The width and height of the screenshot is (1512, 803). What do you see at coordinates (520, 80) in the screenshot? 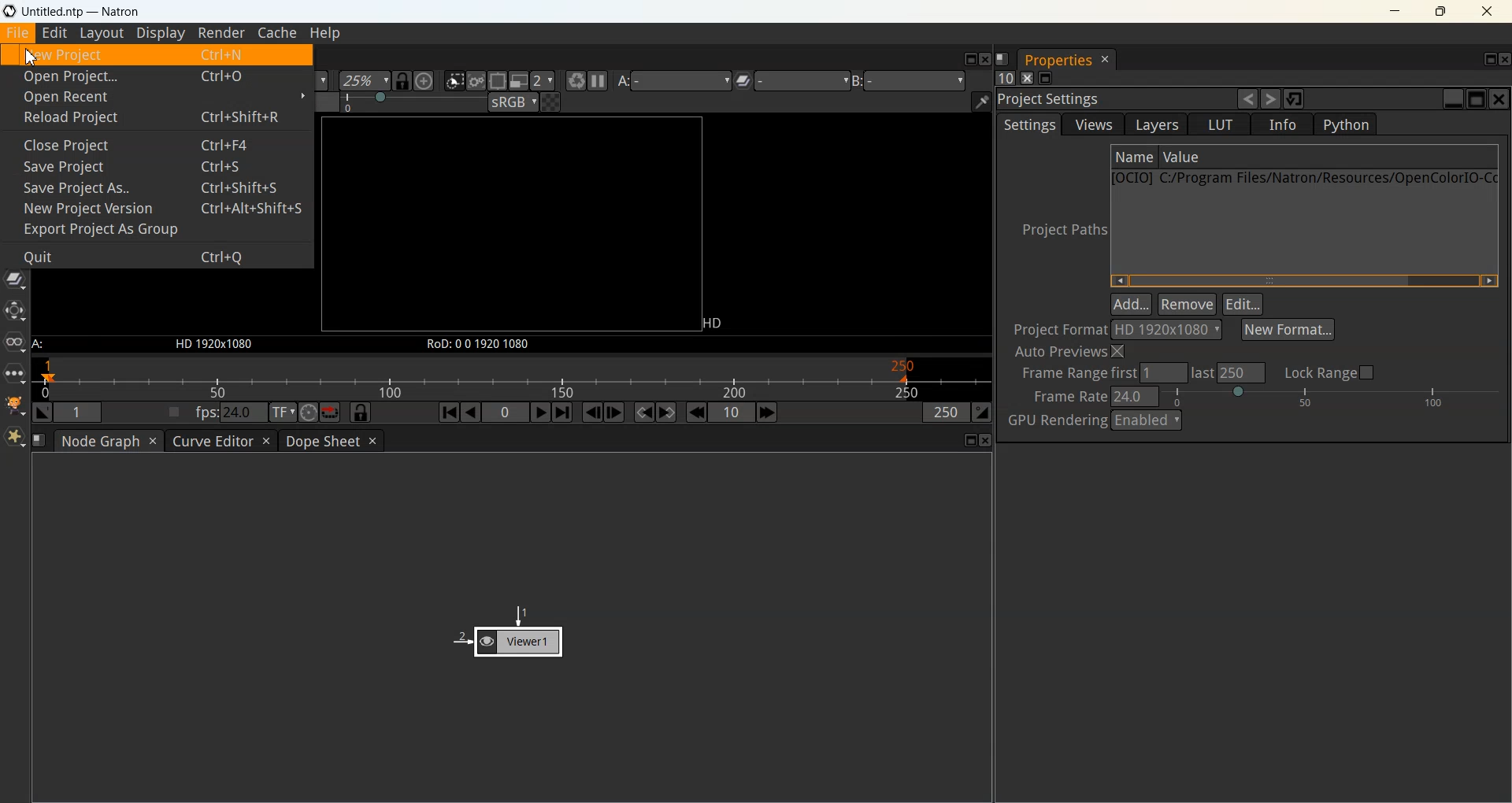
I see `Proxy mode` at bounding box center [520, 80].